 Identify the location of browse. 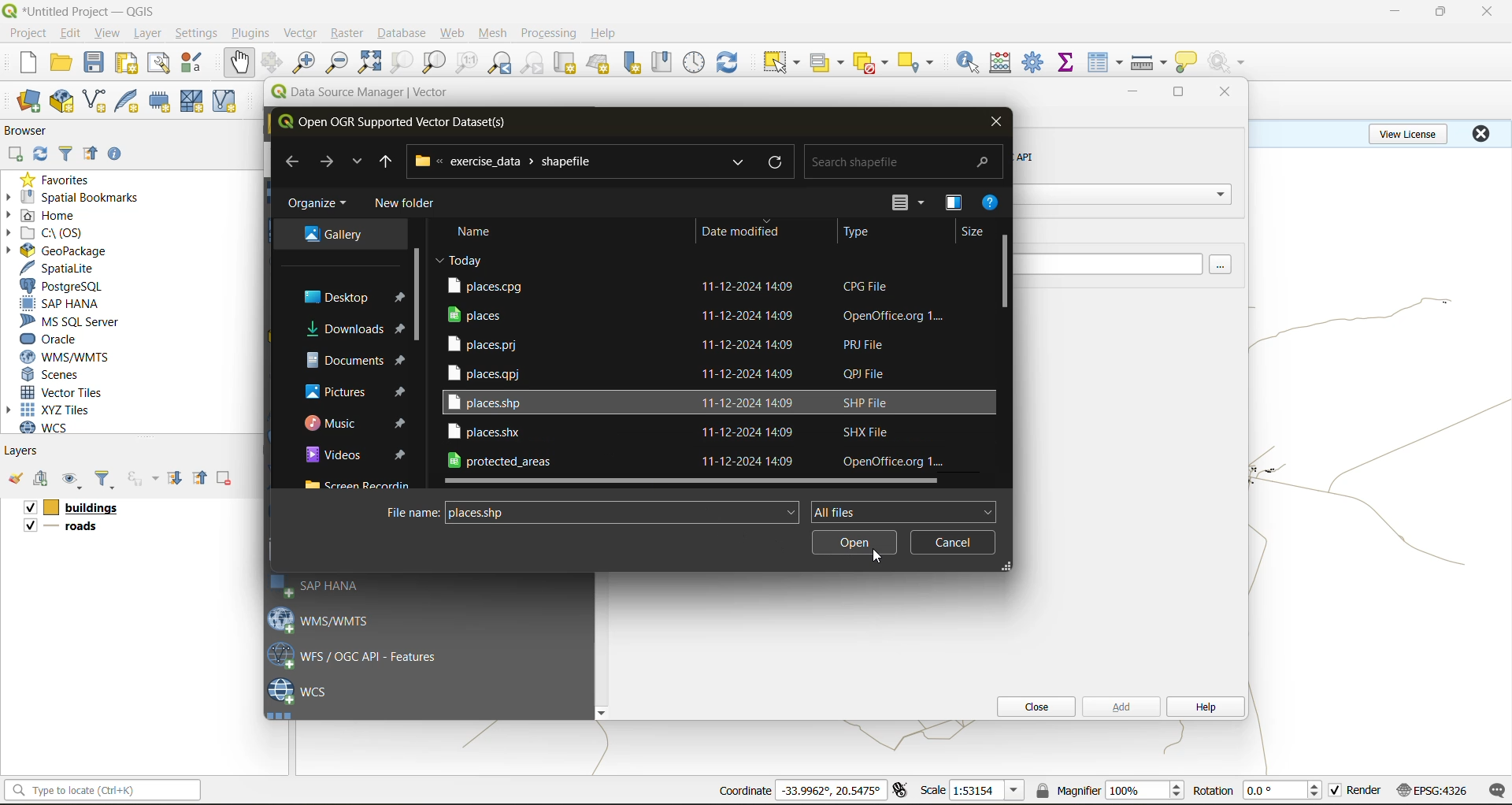
(1225, 265).